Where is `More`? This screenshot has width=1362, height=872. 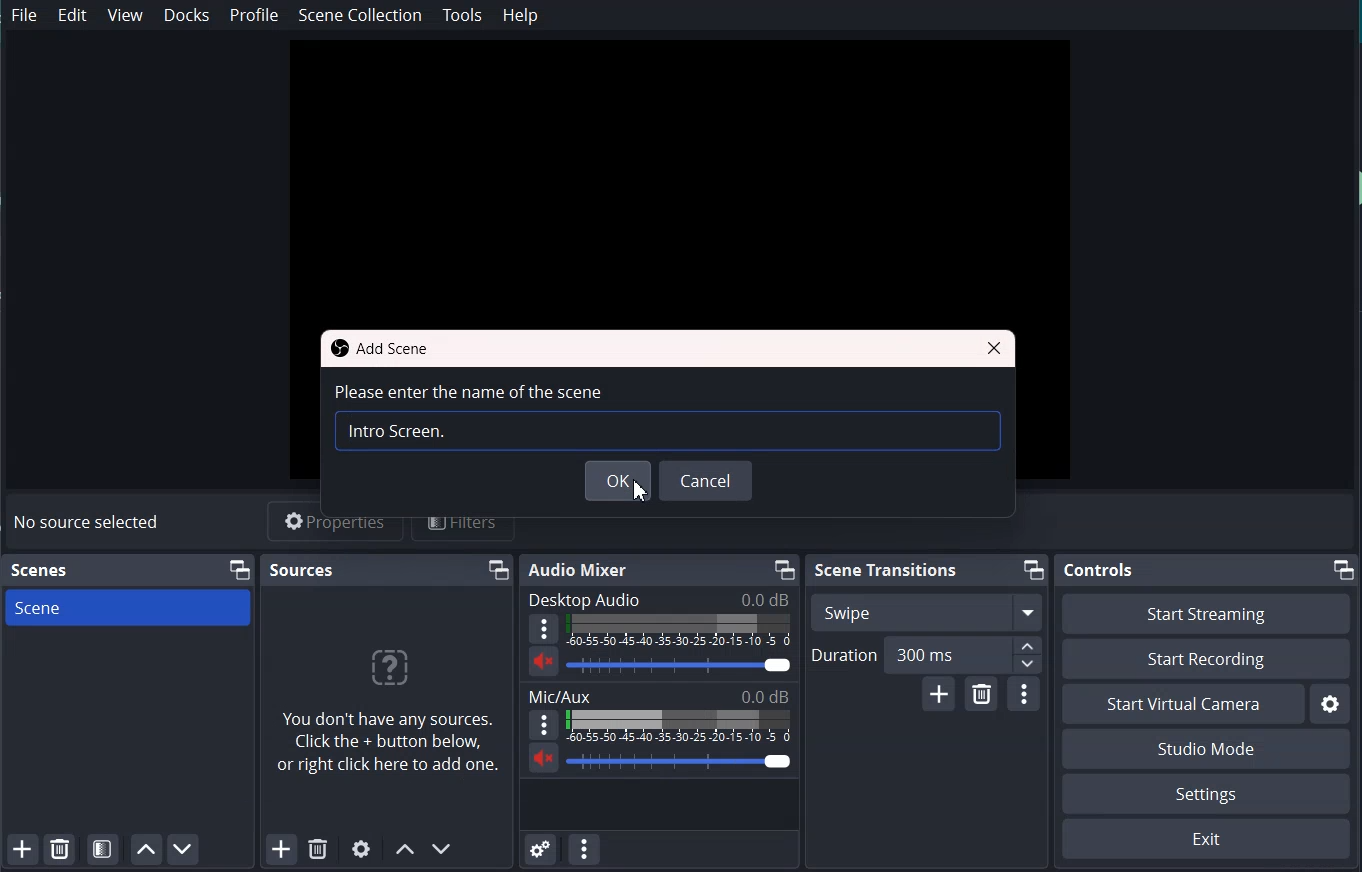 More is located at coordinates (544, 724).